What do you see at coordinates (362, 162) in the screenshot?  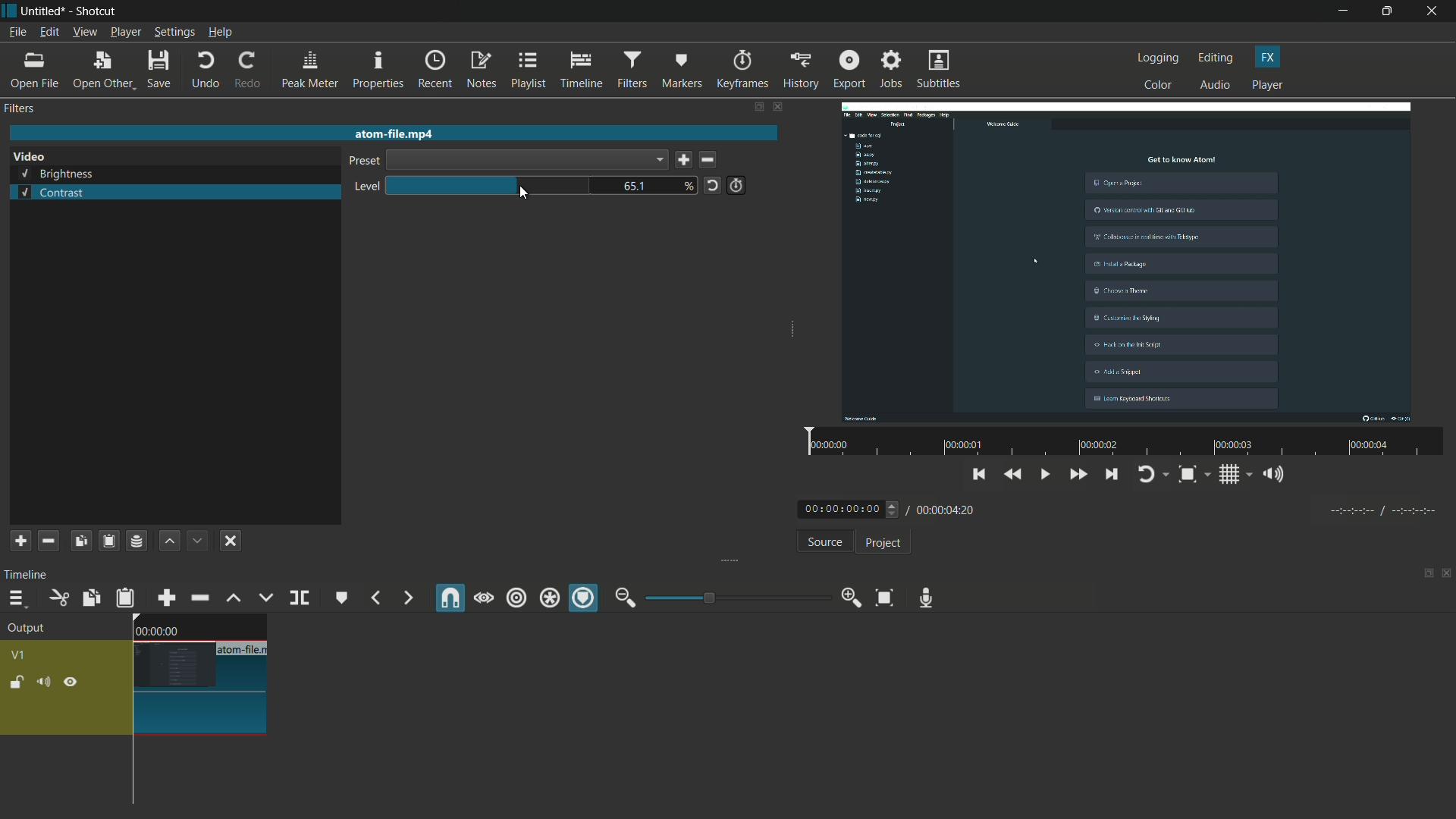 I see `preset` at bounding box center [362, 162].